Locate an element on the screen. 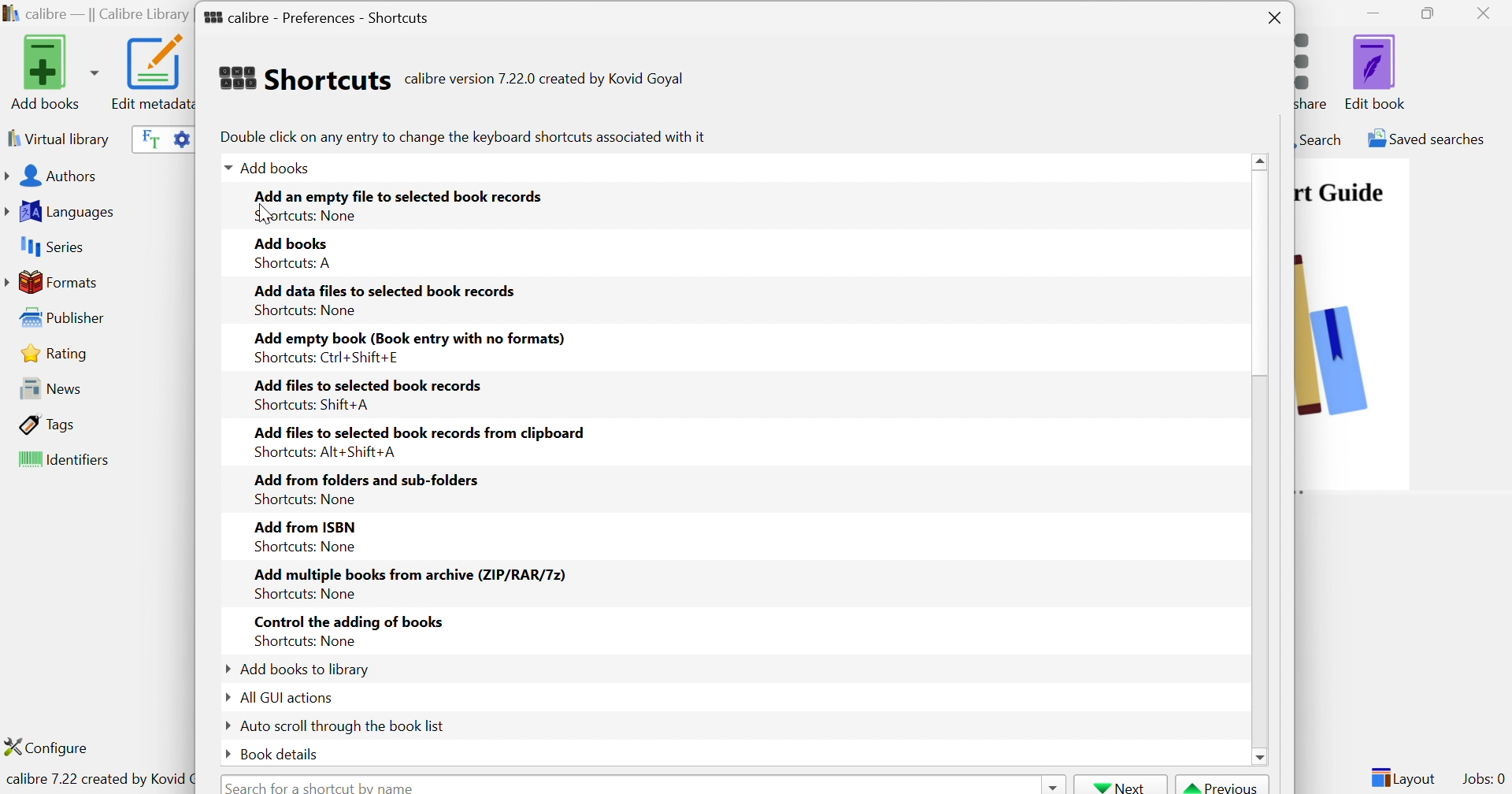  Scroll Bar is located at coordinates (1262, 295).